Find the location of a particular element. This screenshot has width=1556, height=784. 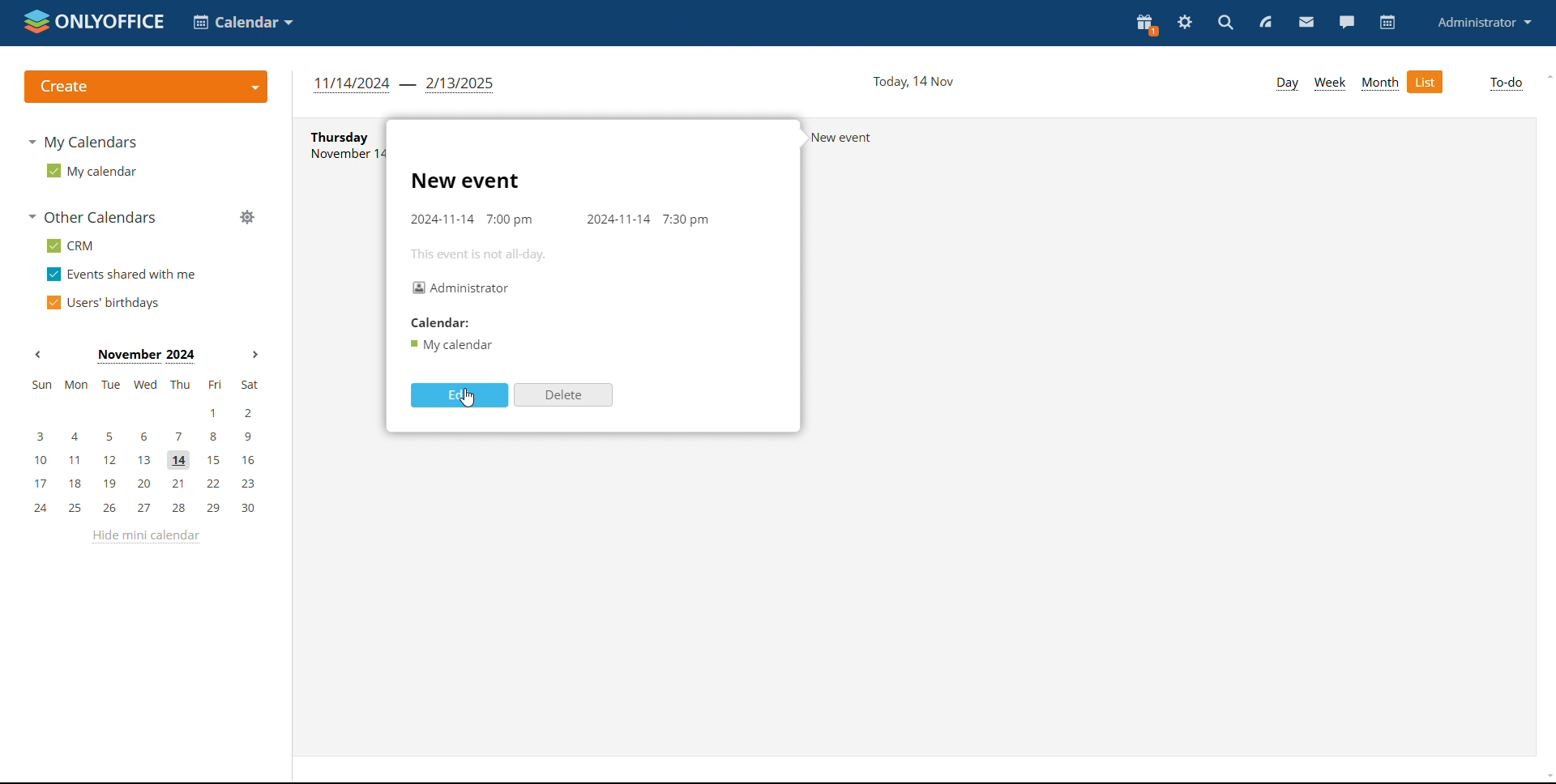

month view is located at coordinates (1380, 83).